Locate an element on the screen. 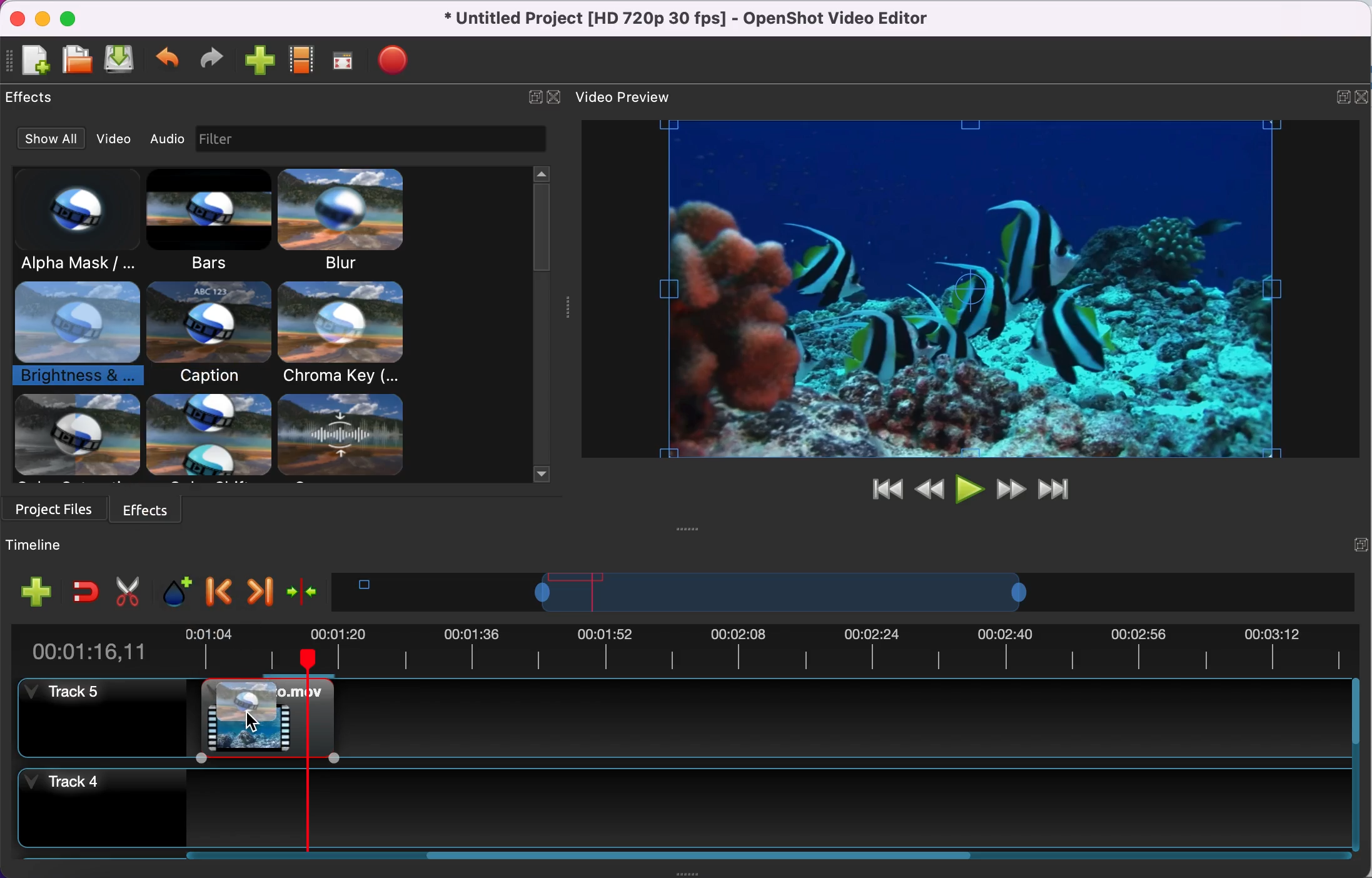 This screenshot has width=1372, height=878. timeline is located at coordinates (780, 592).